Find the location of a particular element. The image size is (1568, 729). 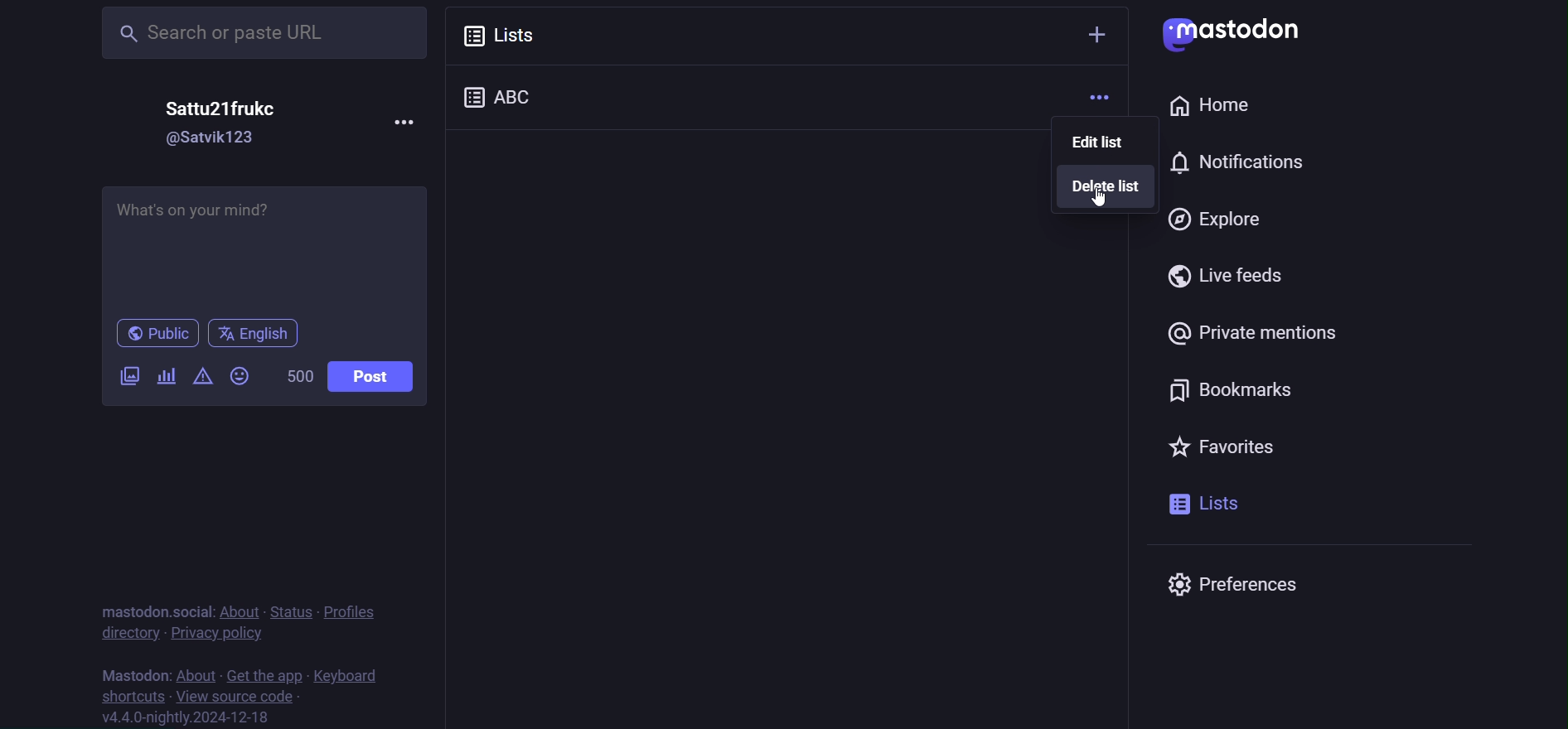

cursor is located at coordinates (1102, 199).